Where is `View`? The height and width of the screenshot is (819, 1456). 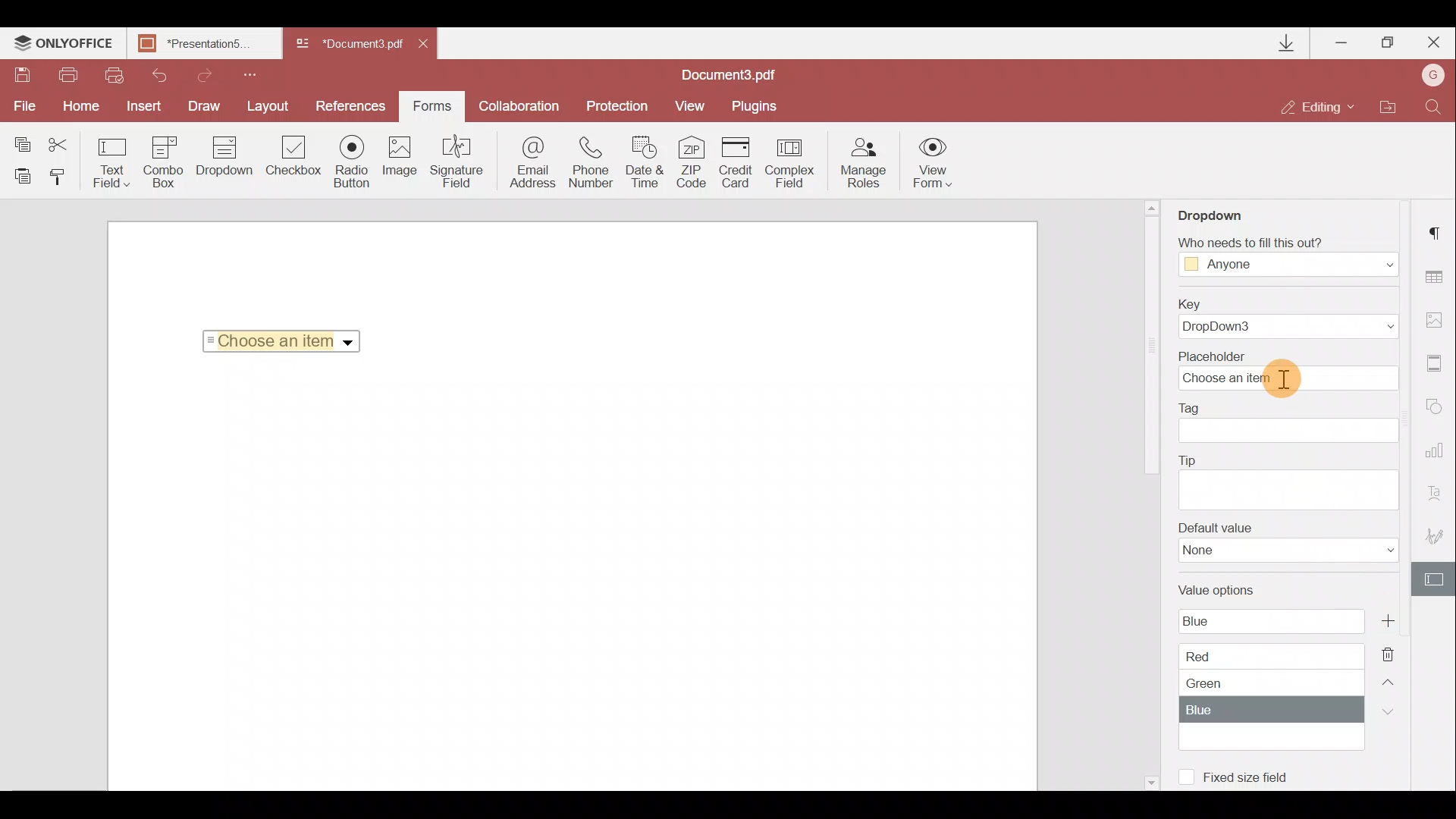 View is located at coordinates (695, 106).